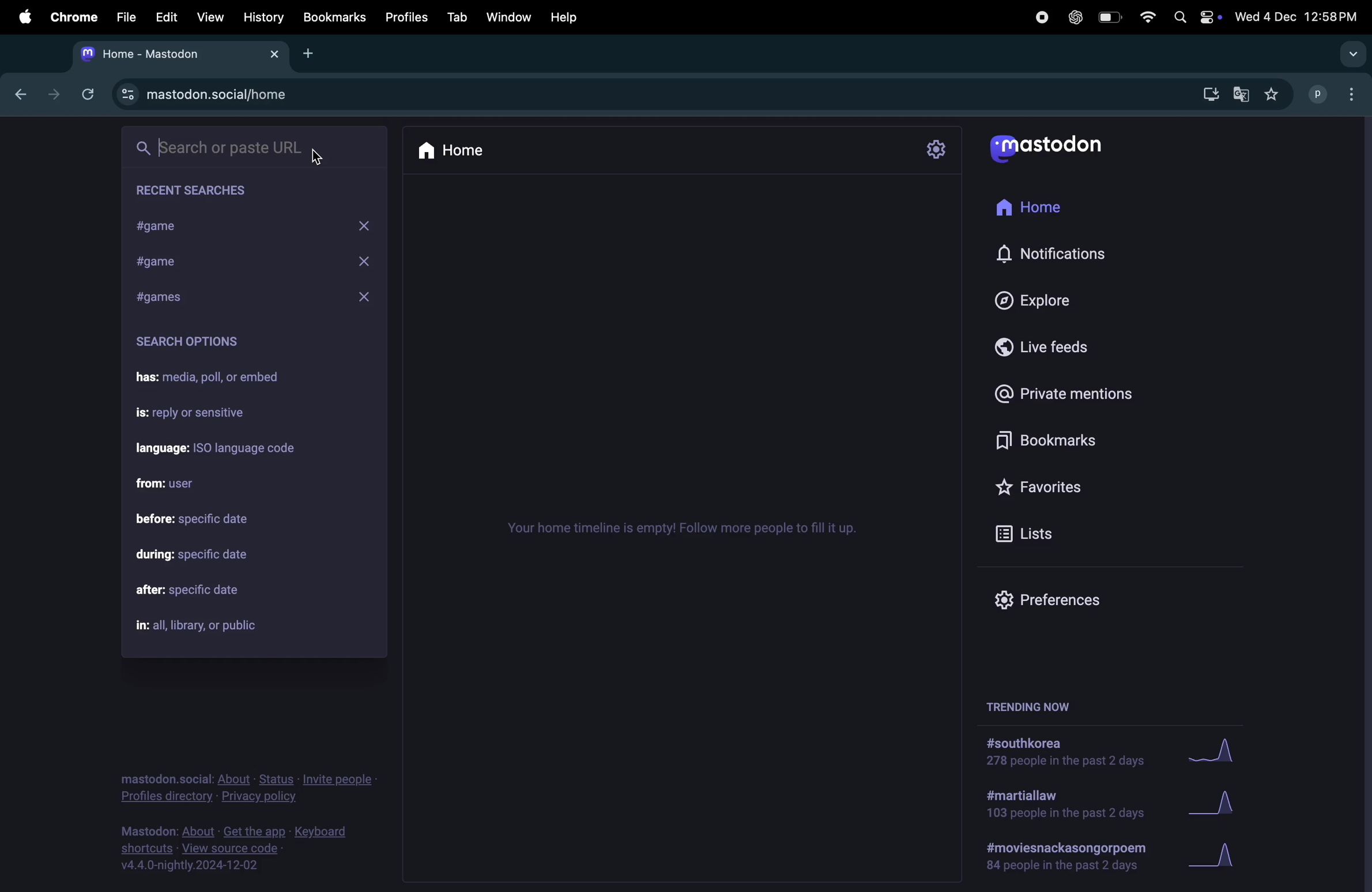 This screenshot has width=1372, height=892. I want to click on help, so click(563, 17).